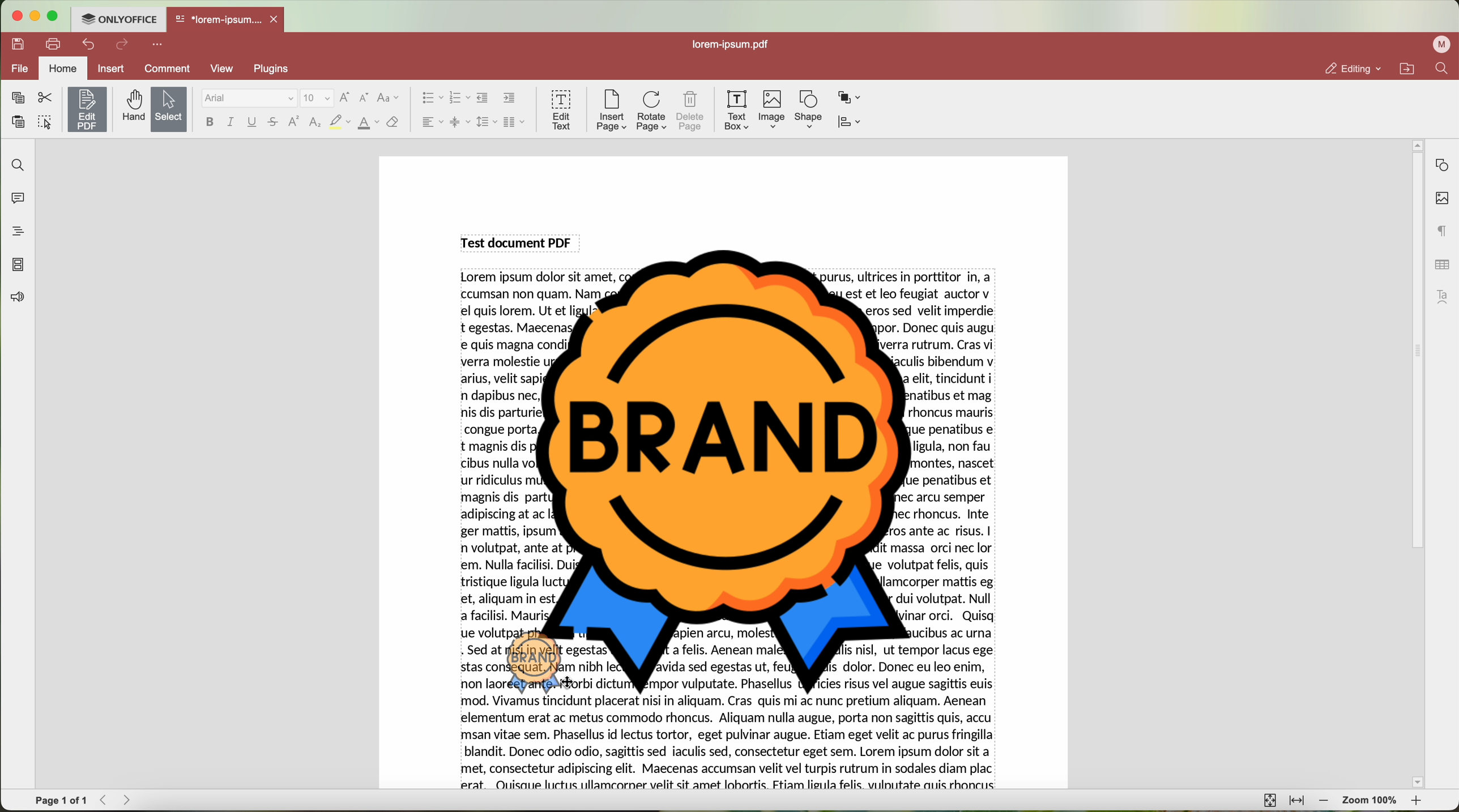 Image resolution: width=1459 pixels, height=812 pixels. Describe the element at coordinates (515, 123) in the screenshot. I see `insert columns` at that location.